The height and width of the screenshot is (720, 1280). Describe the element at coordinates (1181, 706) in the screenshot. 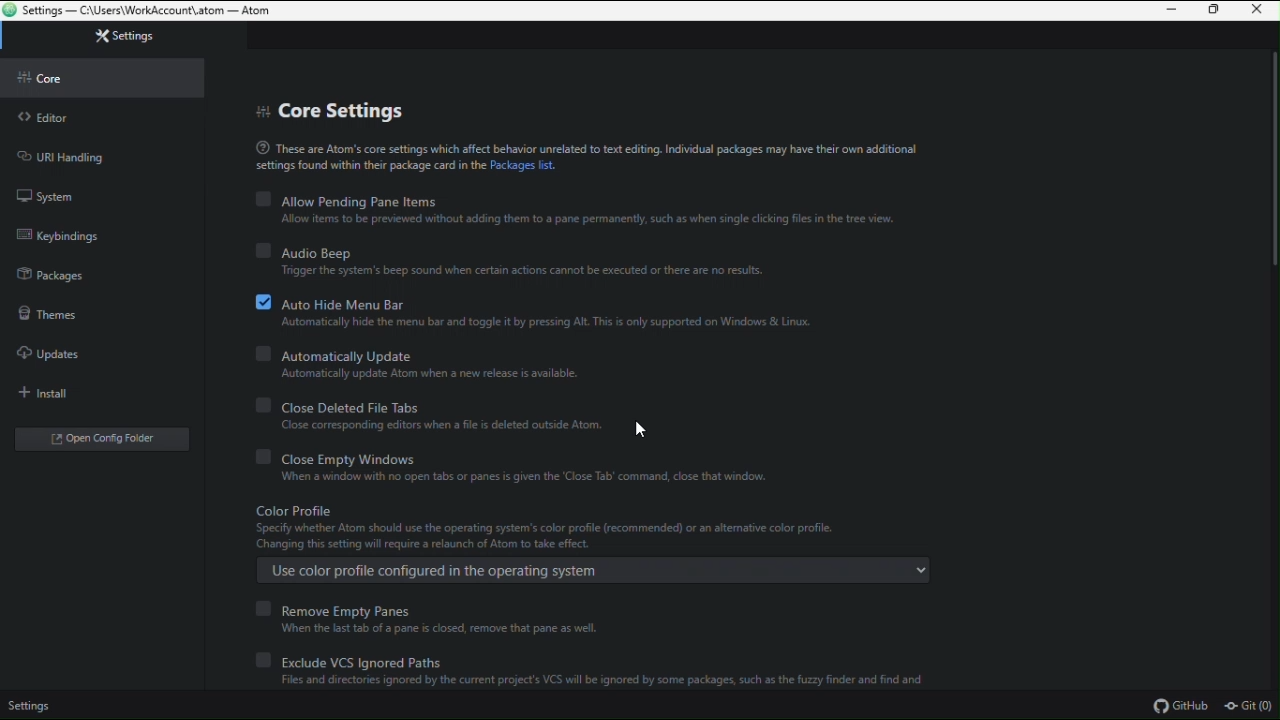

I see `github` at that location.